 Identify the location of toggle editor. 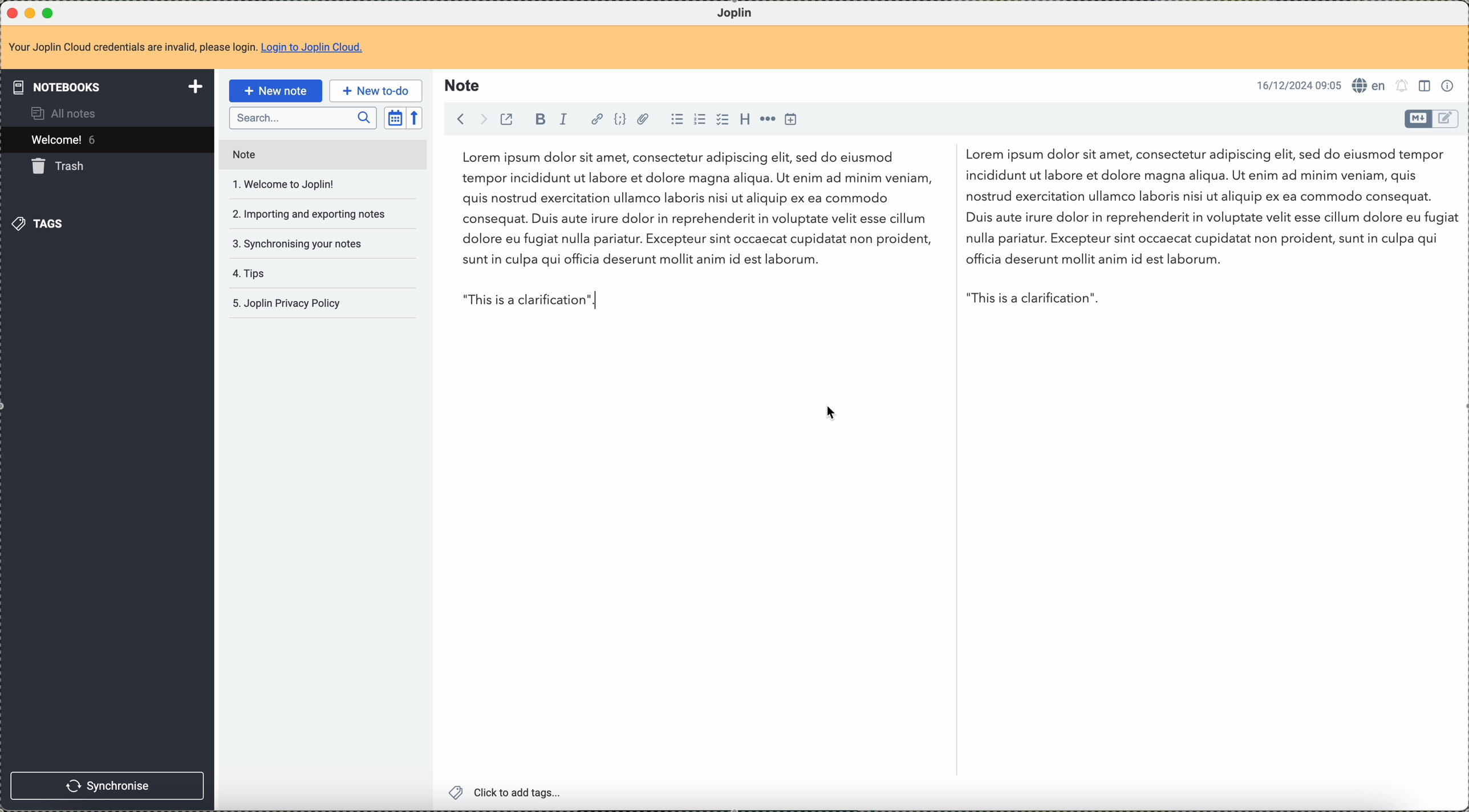
(1447, 120).